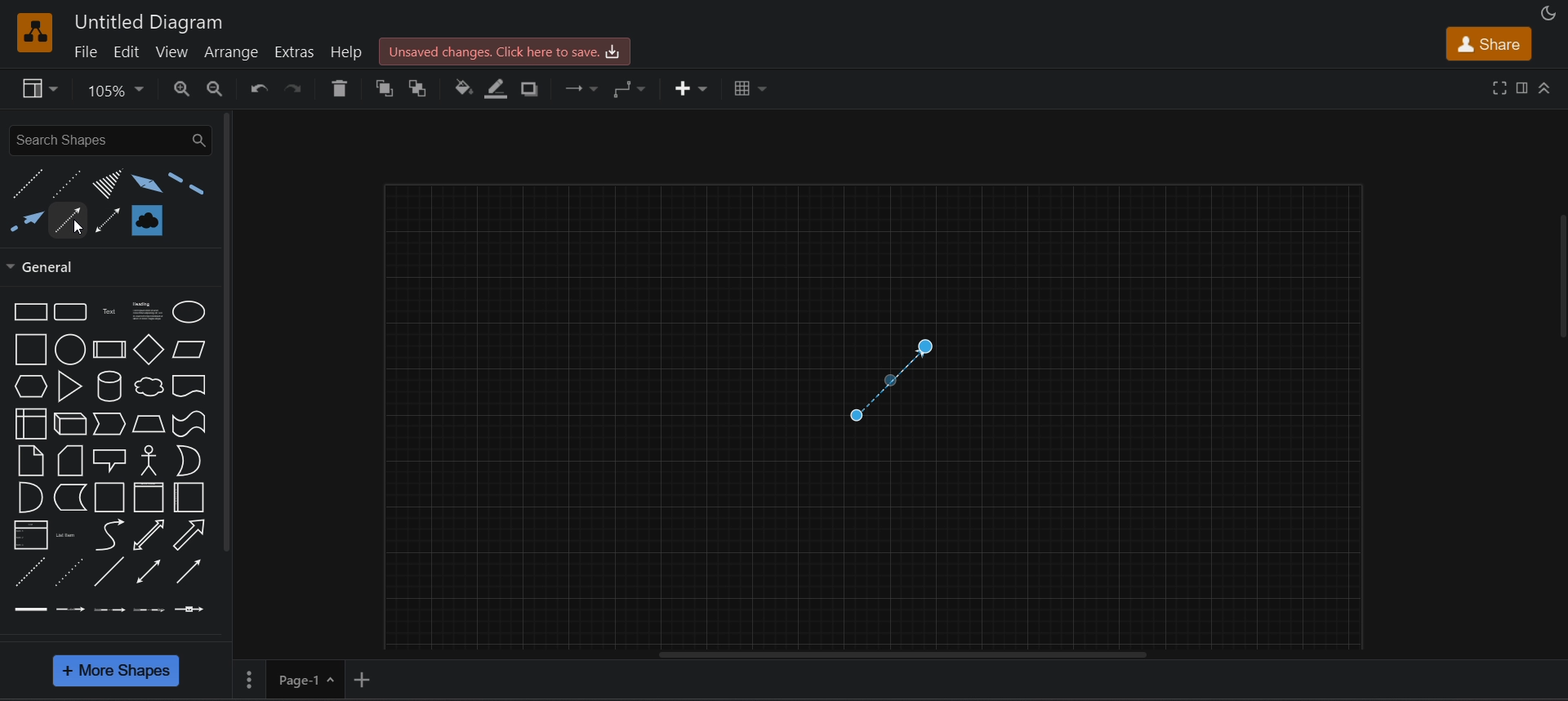  What do you see at coordinates (29, 460) in the screenshot?
I see `note` at bounding box center [29, 460].